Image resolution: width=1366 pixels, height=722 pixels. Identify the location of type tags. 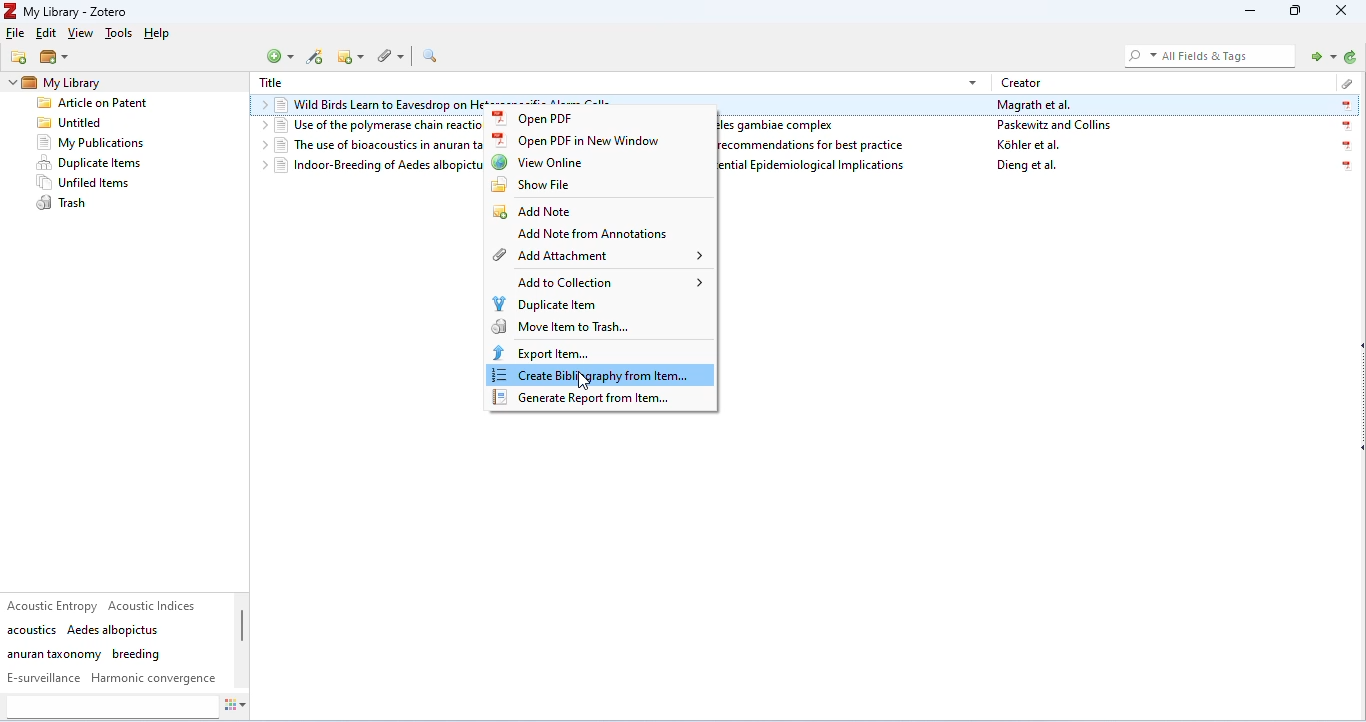
(111, 707).